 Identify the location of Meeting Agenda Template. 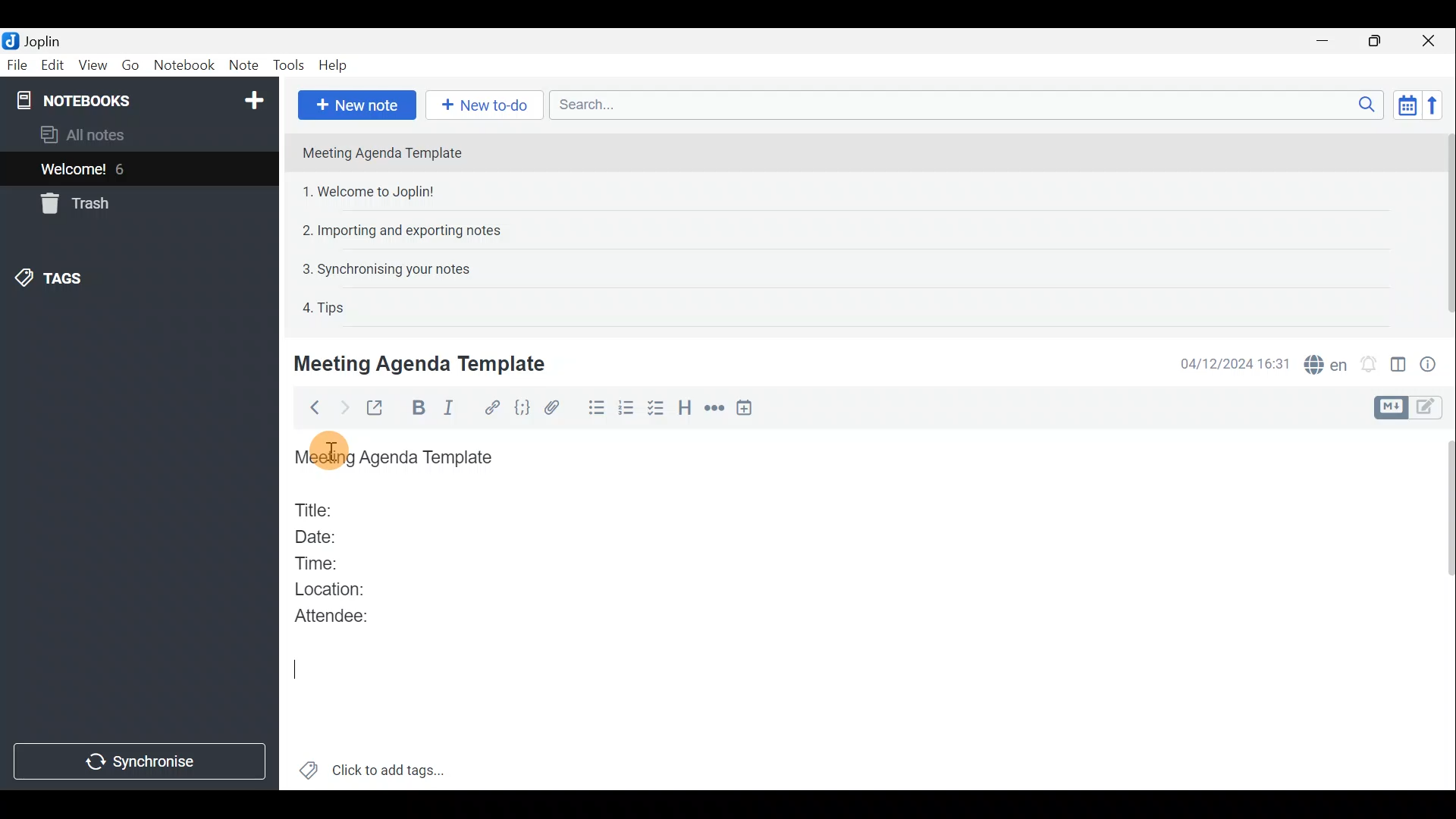
(422, 363).